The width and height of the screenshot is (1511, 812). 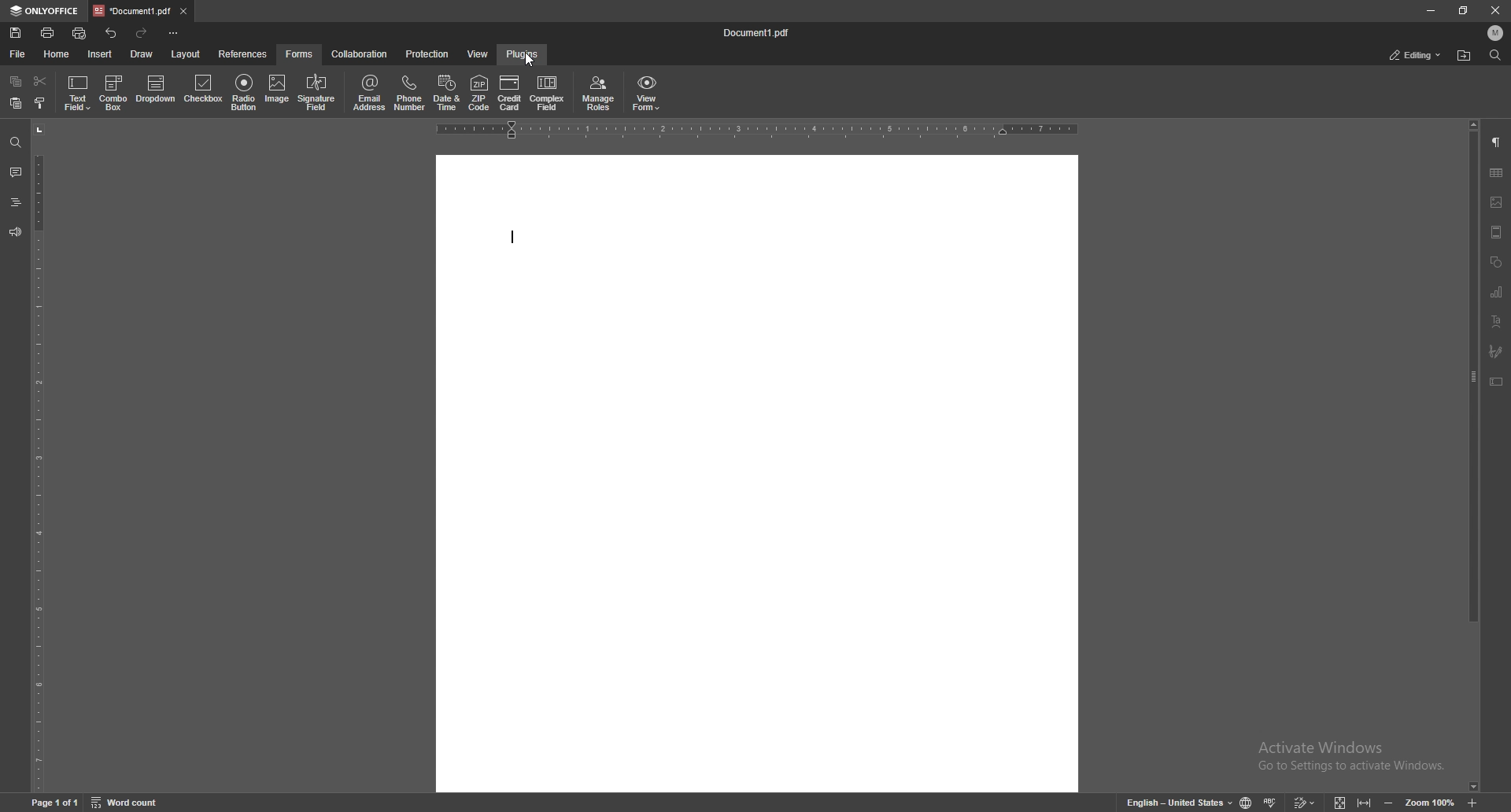 What do you see at coordinates (1494, 57) in the screenshot?
I see `find` at bounding box center [1494, 57].